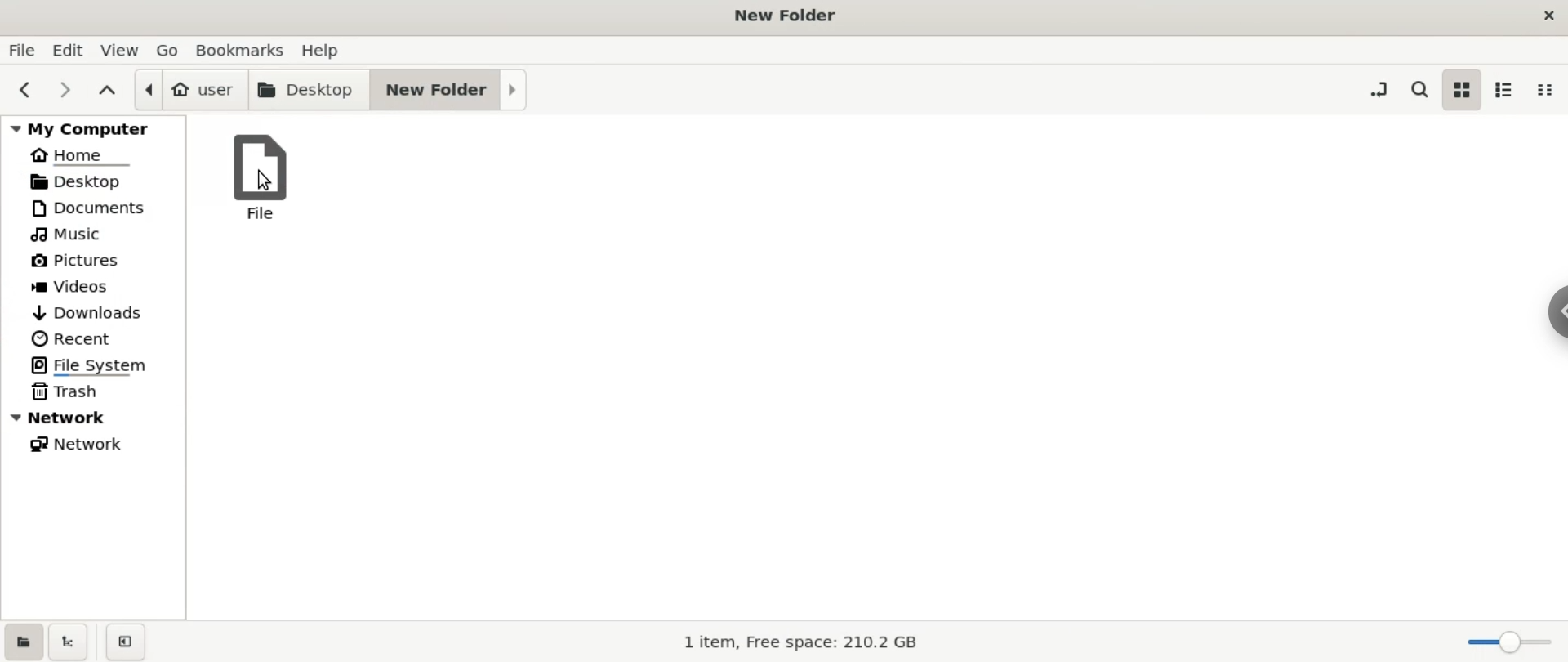 This screenshot has width=1568, height=662. Describe the element at coordinates (94, 284) in the screenshot. I see `videos` at that location.